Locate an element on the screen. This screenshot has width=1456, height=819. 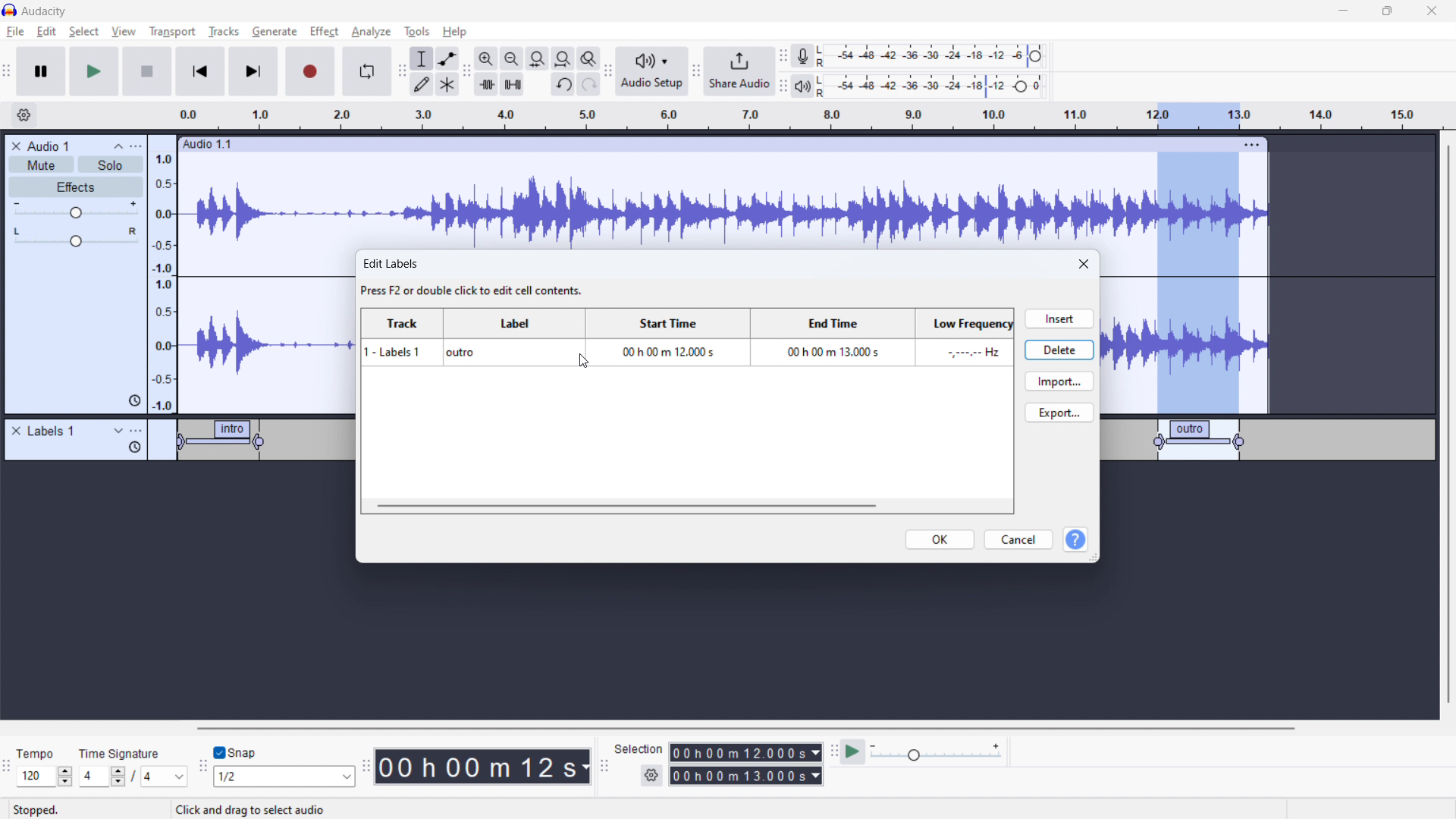
low frequency is located at coordinates (962, 337).